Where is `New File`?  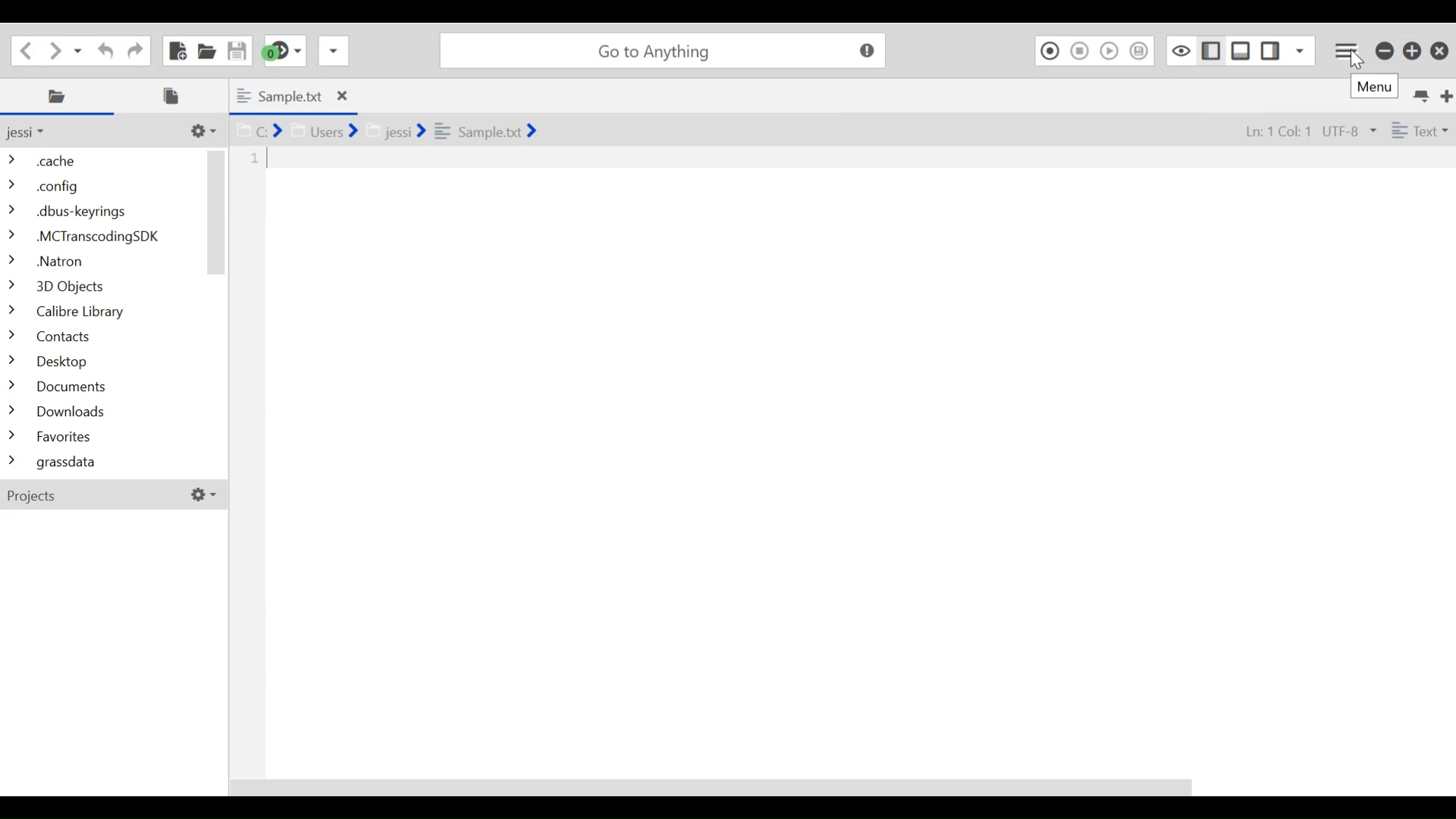
New File is located at coordinates (176, 50).